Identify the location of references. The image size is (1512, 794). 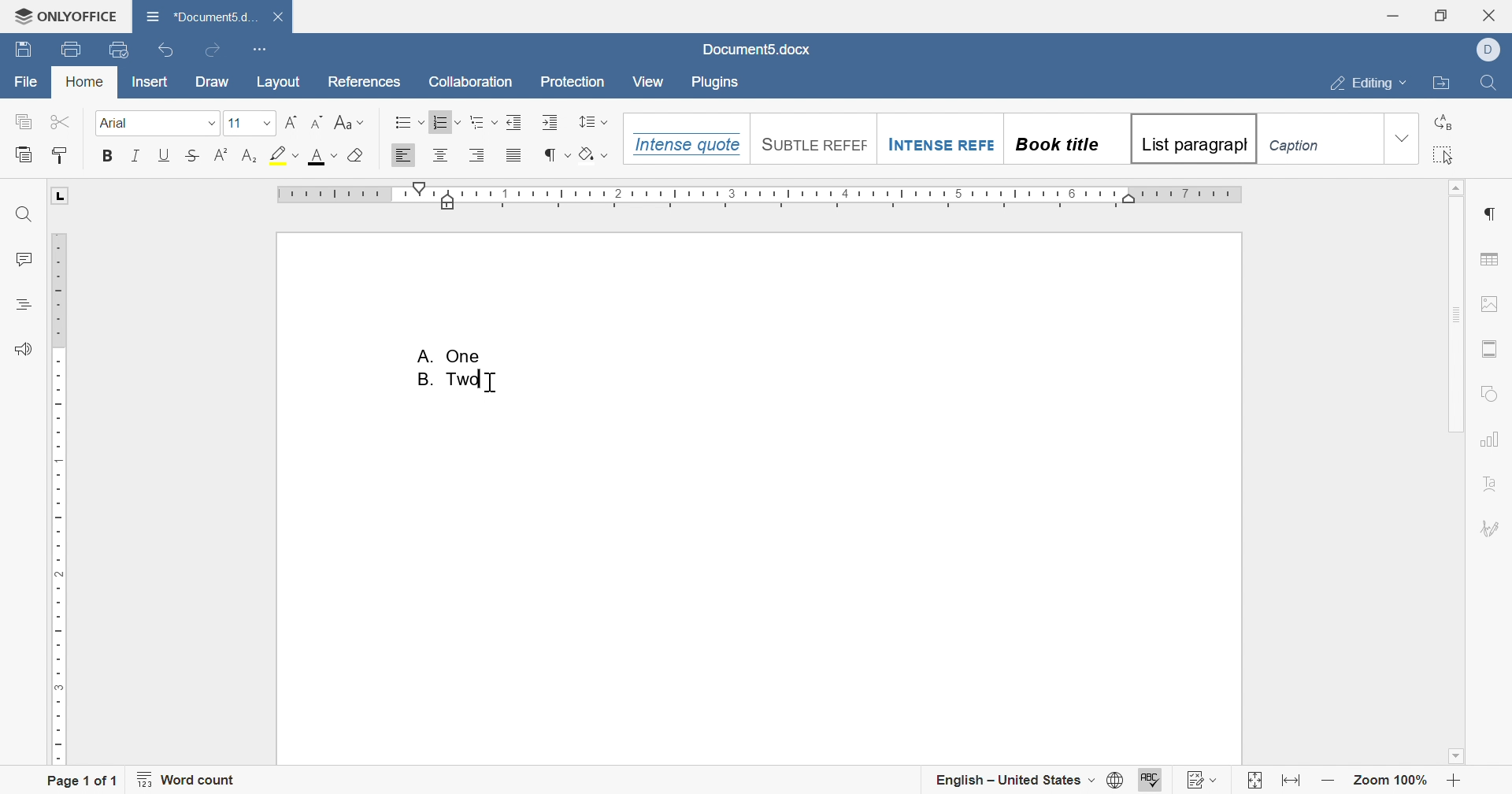
(368, 83).